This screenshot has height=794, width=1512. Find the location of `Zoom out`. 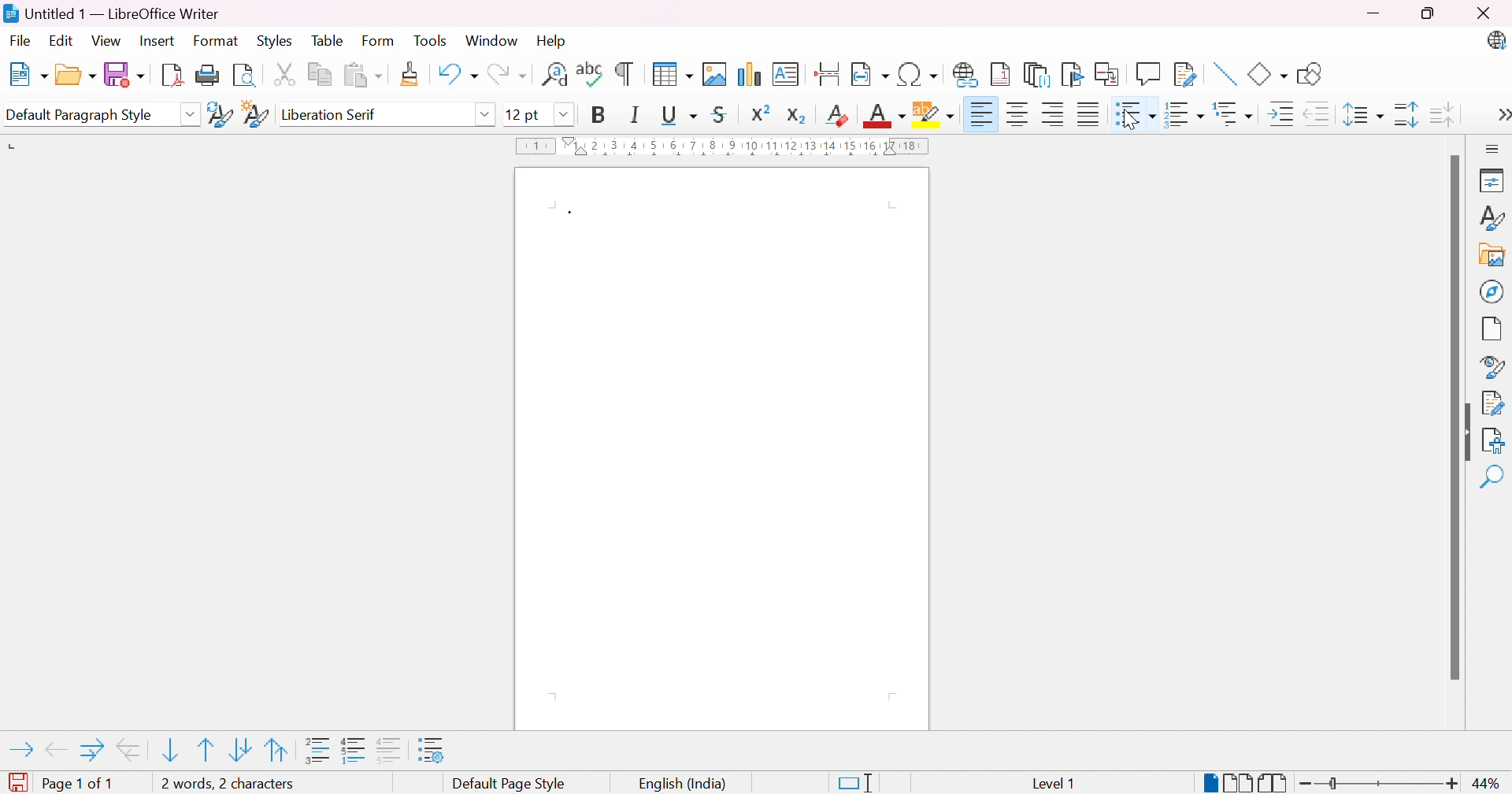

Zoom out is located at coordinates (1299, 784).